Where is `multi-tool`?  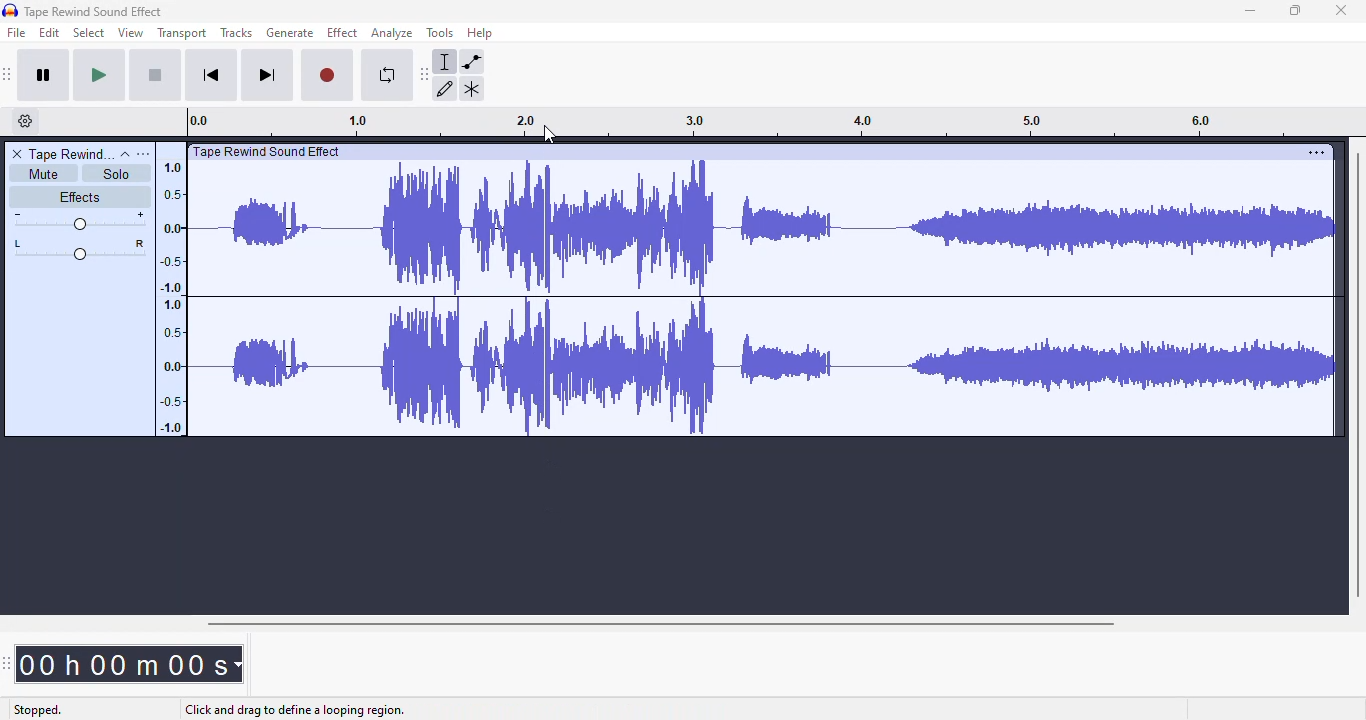 multi-tool is located at coordinates (471, 89).